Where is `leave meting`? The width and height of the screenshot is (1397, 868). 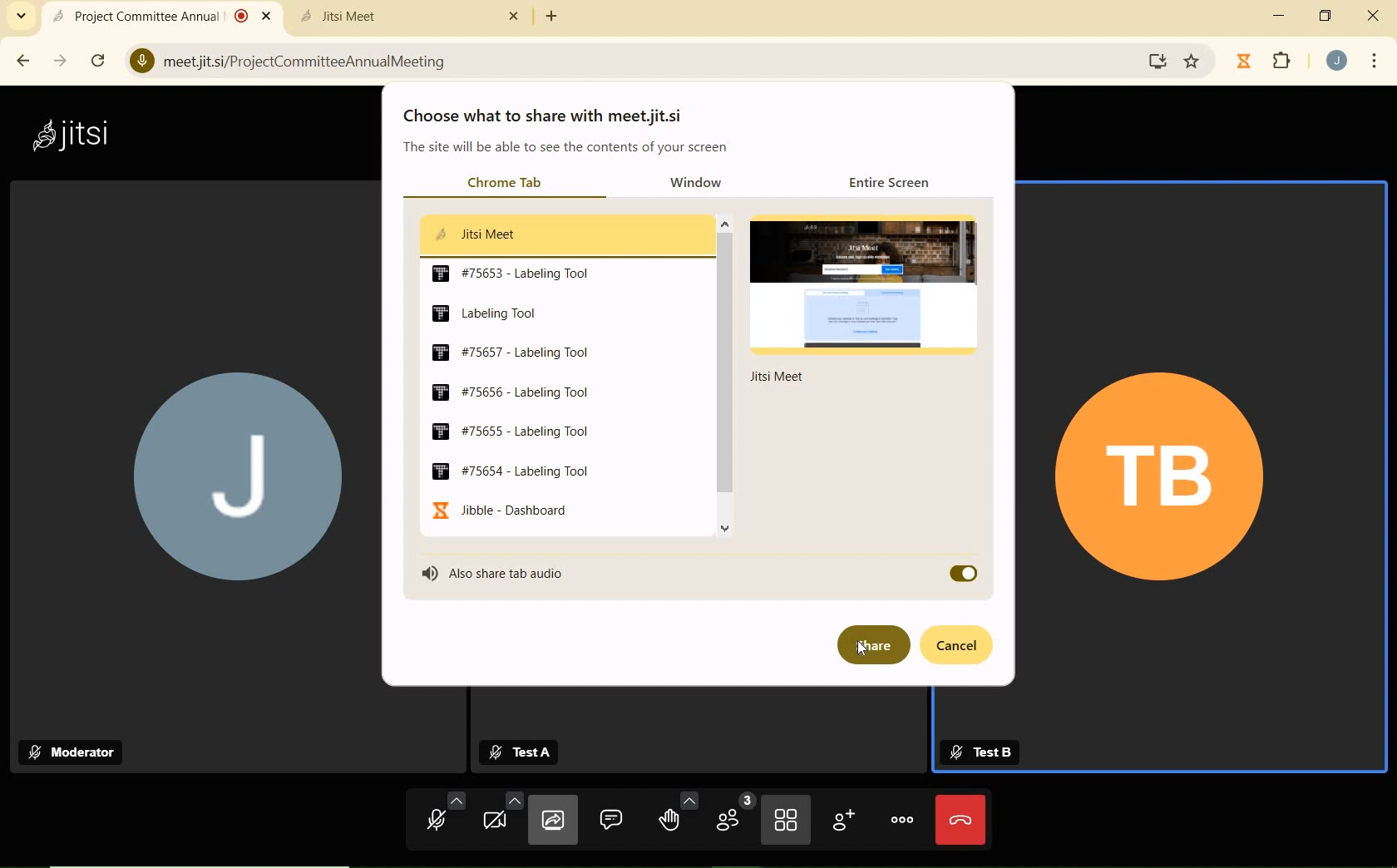 leave meting is located at coordinates (960, 820).